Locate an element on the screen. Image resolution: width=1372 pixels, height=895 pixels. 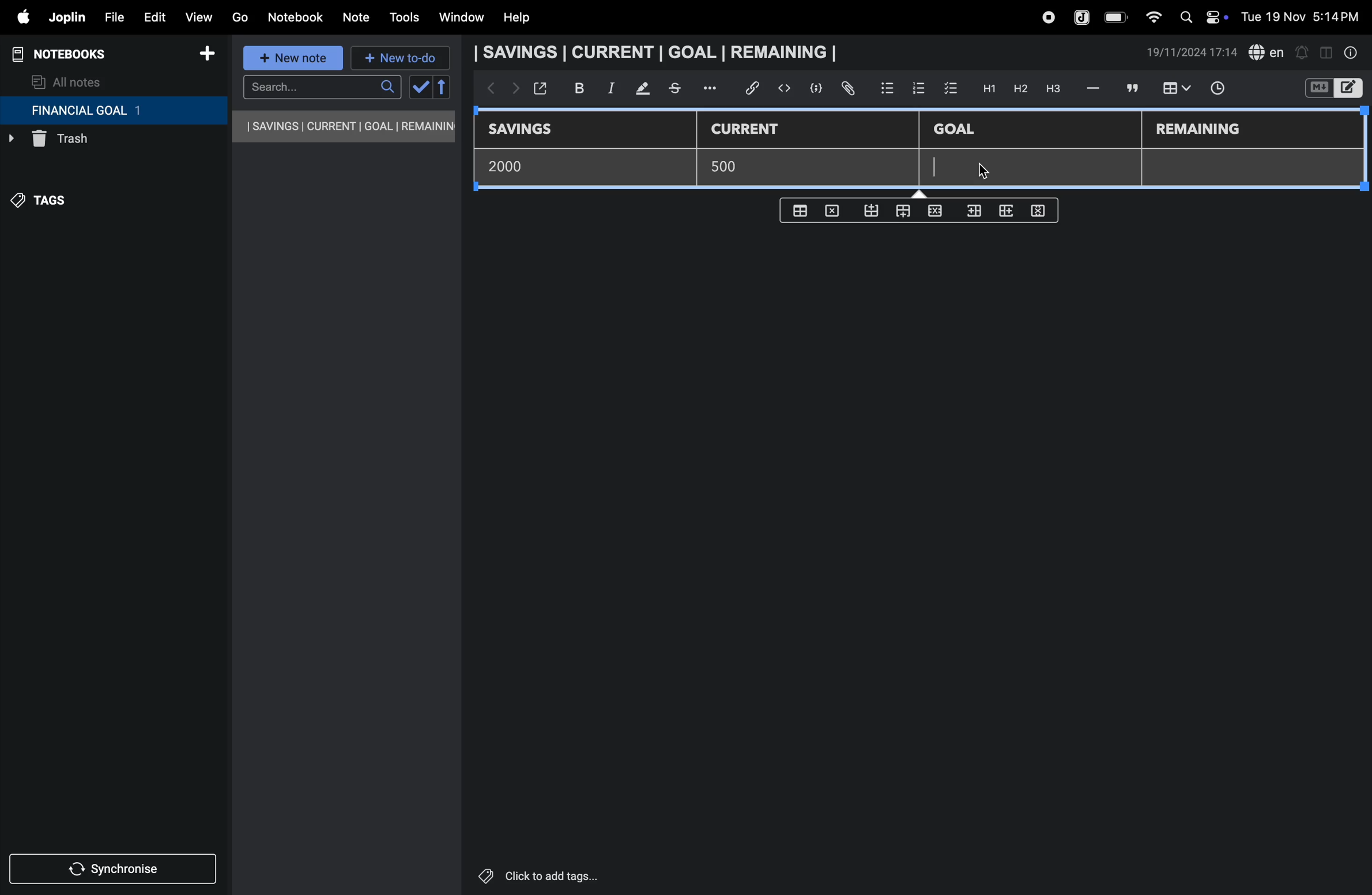
H1 is located at coordinates (987, 89).